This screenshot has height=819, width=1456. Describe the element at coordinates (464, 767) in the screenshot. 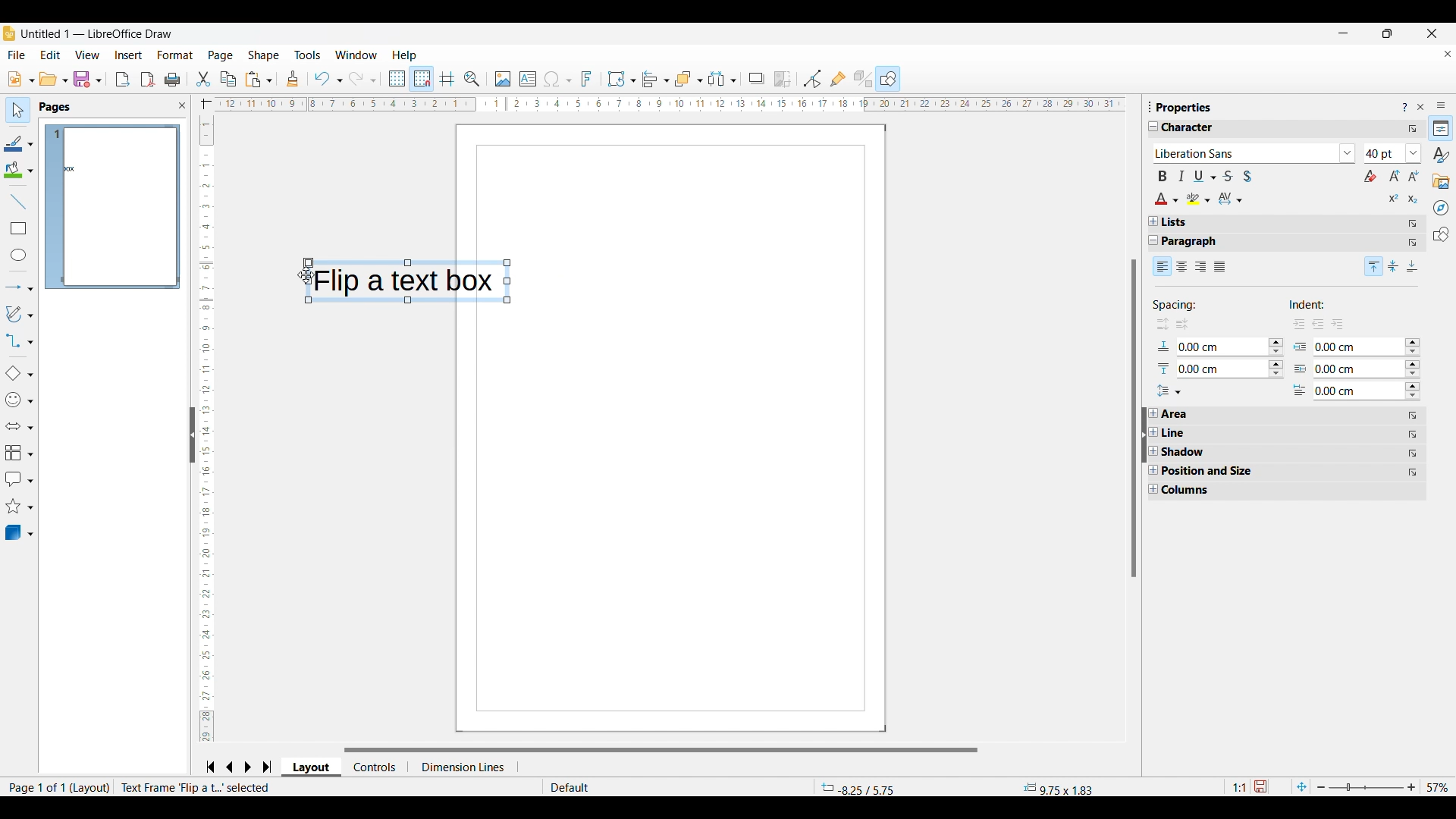

I see `dimension` at that location.